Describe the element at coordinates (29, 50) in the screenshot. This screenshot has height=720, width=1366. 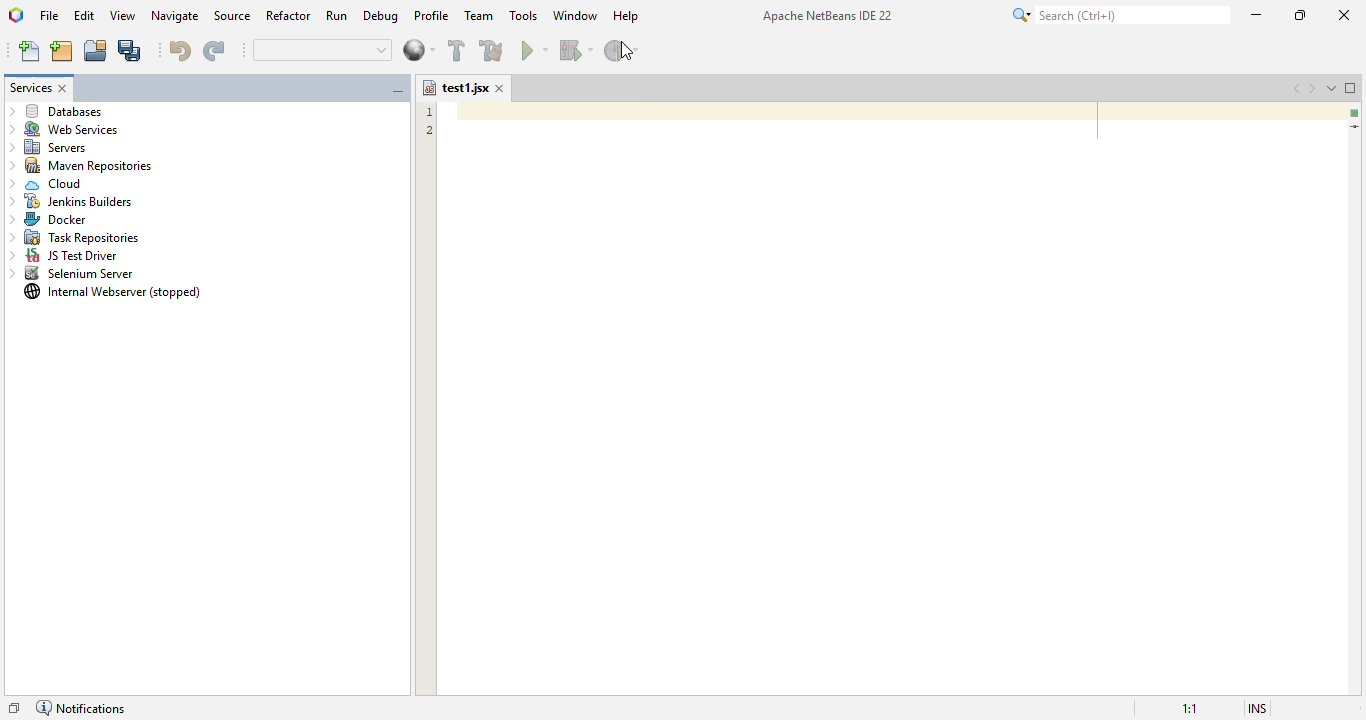
I see `new file` at that location.